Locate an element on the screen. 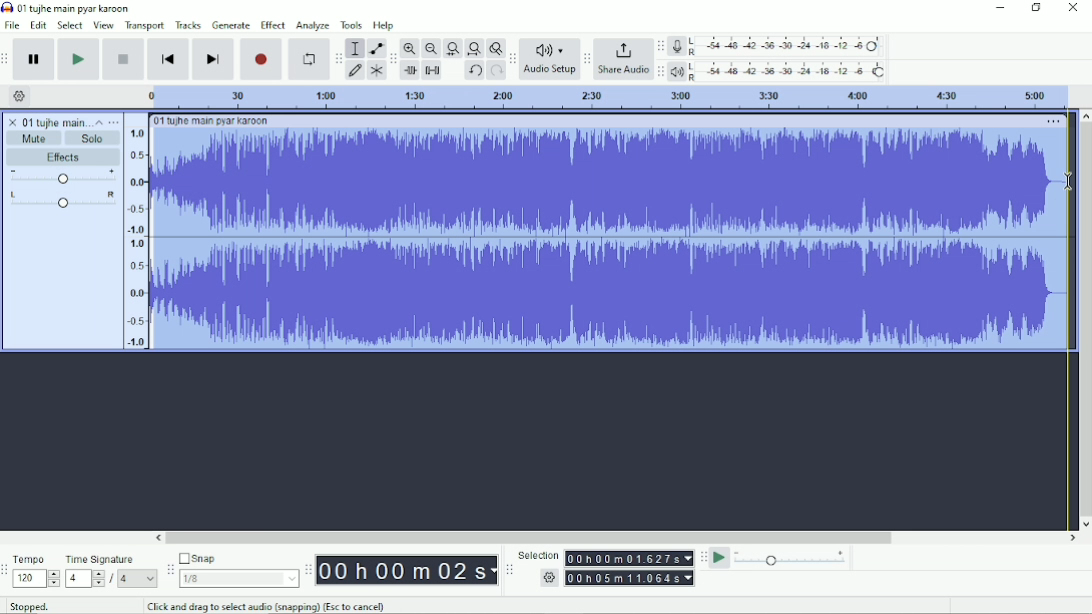  Help is located at coordinates (385, 25).